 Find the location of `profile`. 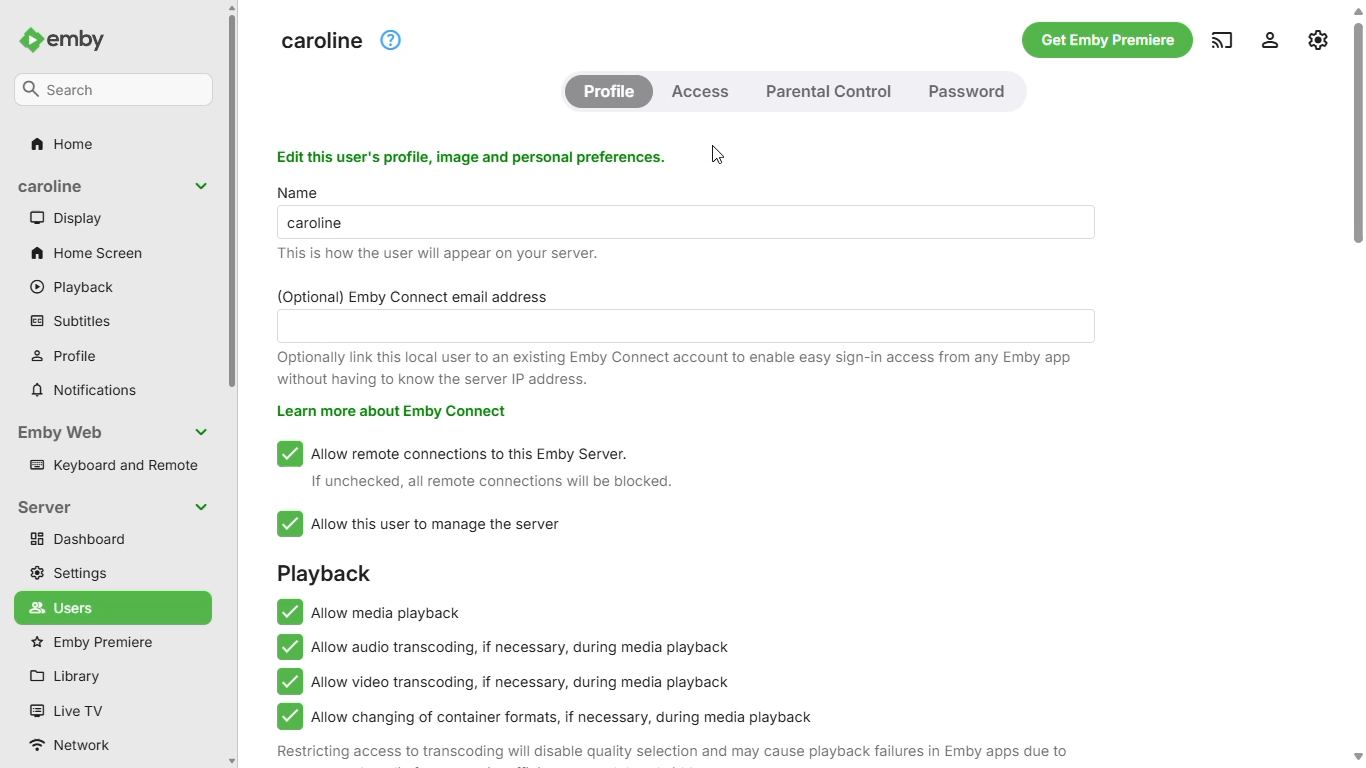

profile is located at coordinates (609, 91).